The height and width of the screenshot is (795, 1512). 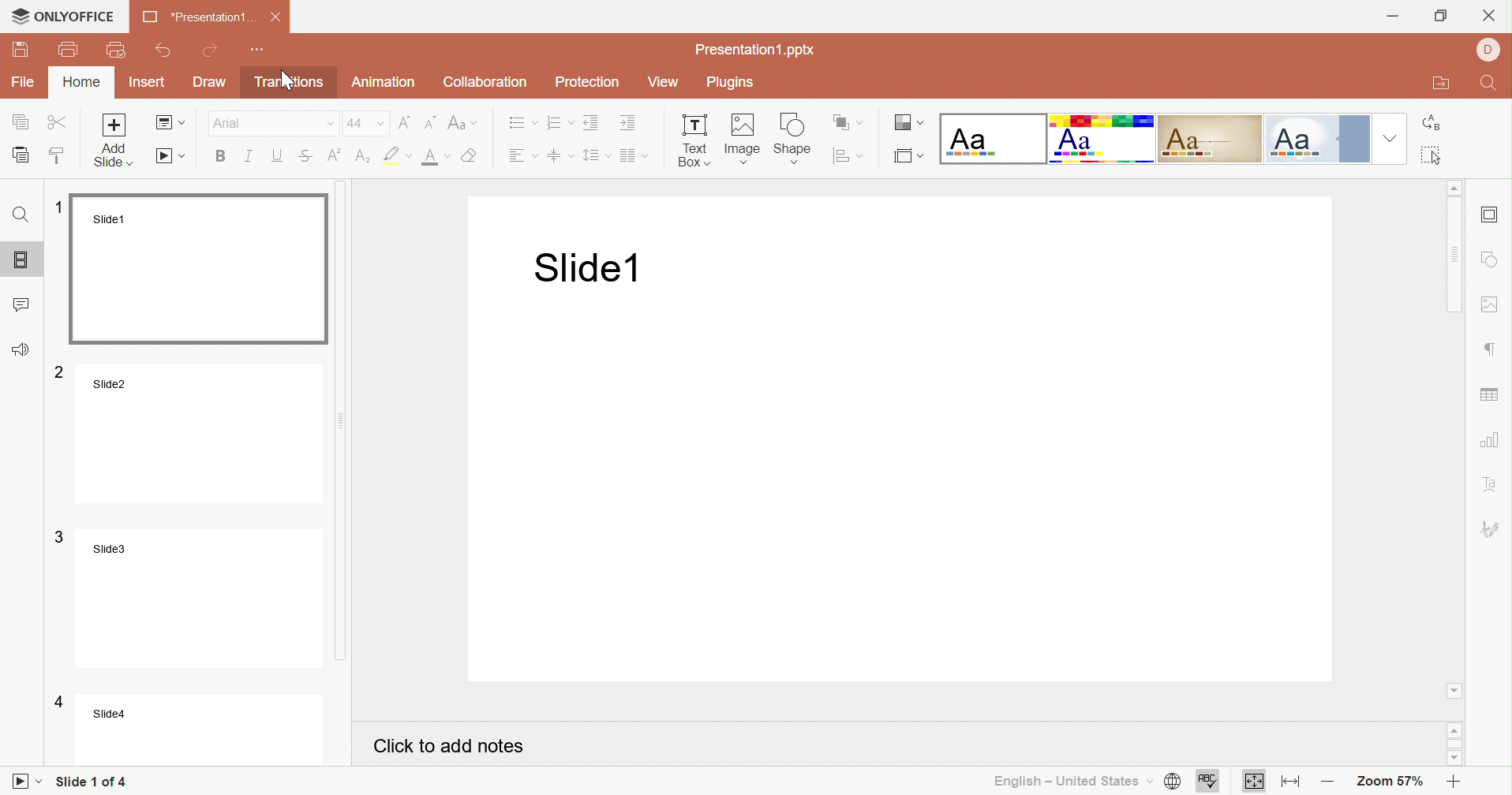 I want to click on Scroll bar, so click(x=354, y=425).